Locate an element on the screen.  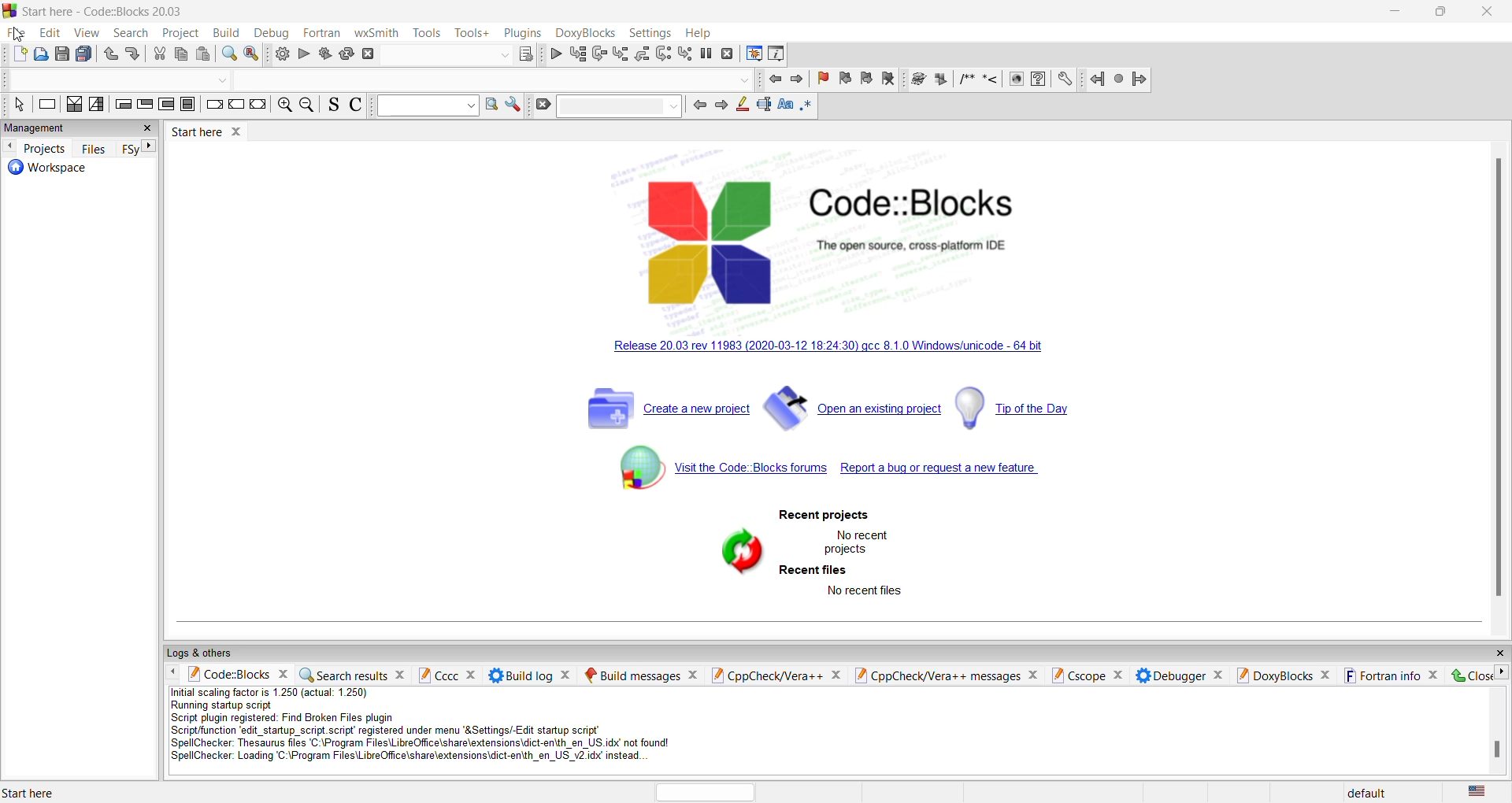
move right is located at coordinates (1503, 672).